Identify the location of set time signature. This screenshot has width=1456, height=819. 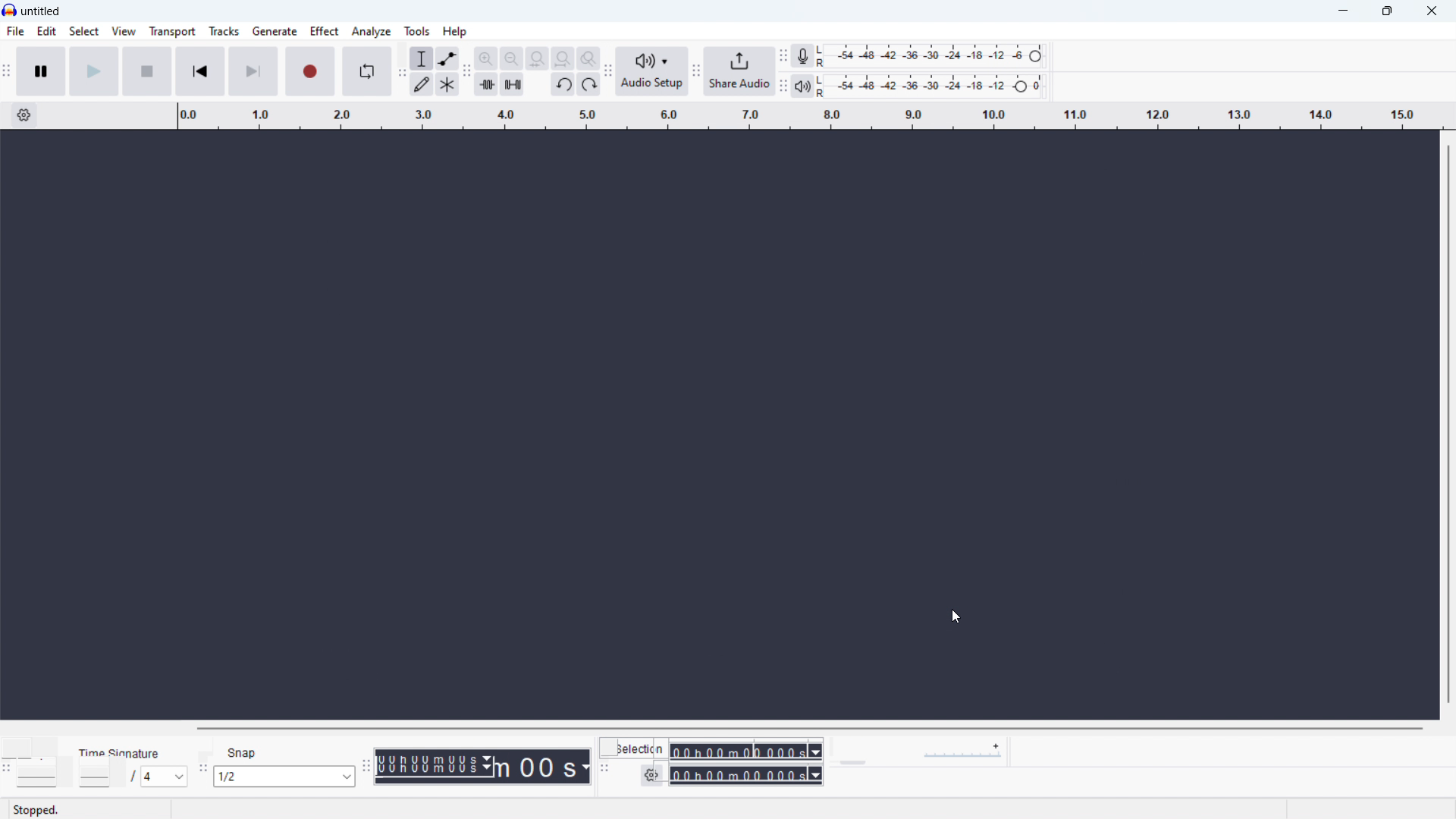
(131, 777).